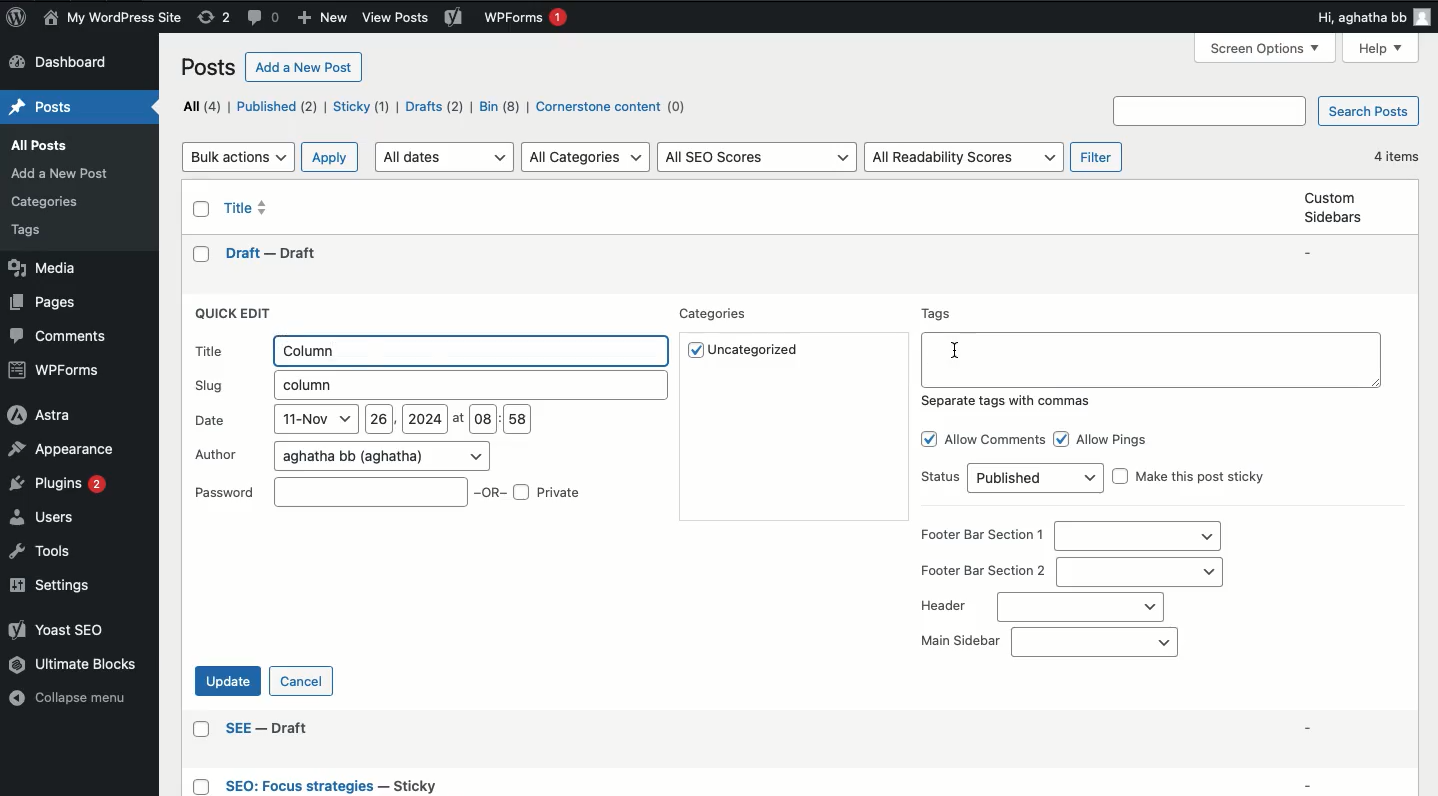 Image resolution: width=1438 pixels, height=796 pixels. What do you see at coordinates (236, 313) in the screenshot?
I see `Quick edit` at bounding box center [236, 313].